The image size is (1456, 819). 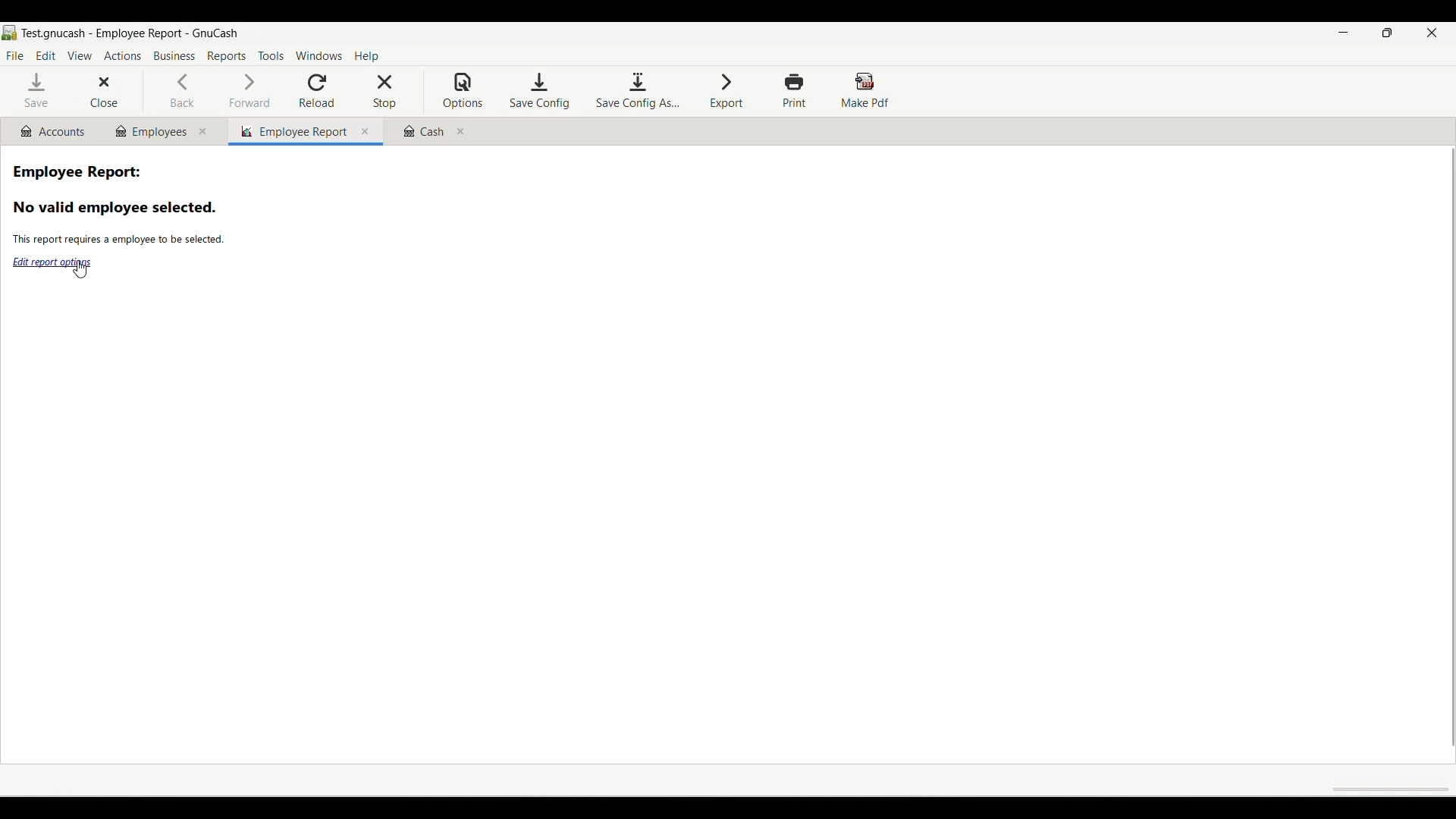 What do you see at coordinates (36, 91) in the screenshot?
I see `Save` at bounding box center [36, 91].